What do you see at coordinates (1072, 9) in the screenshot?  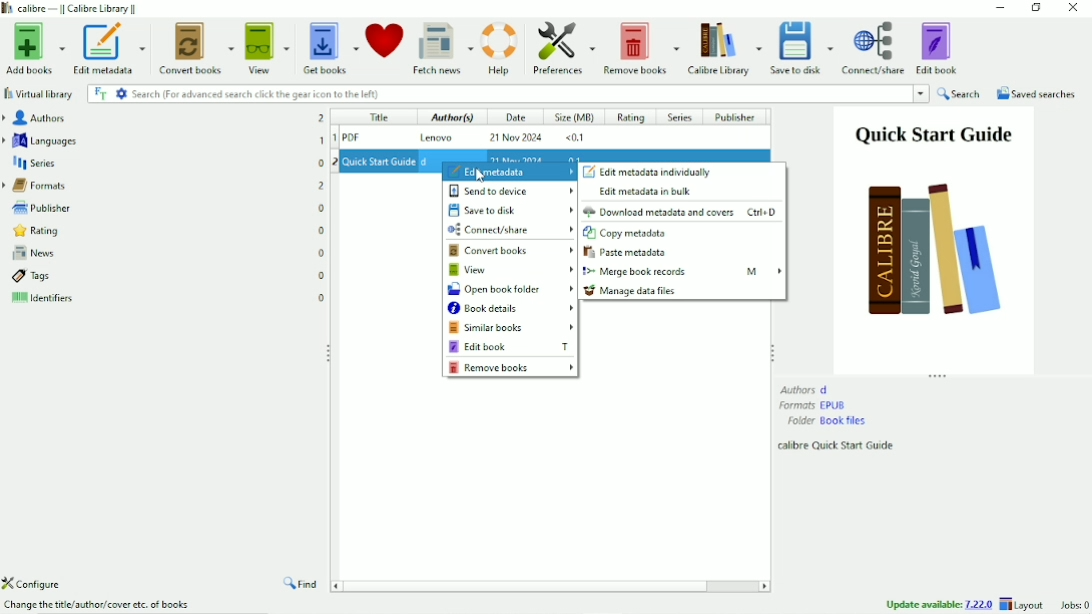 I see `Close` at bounding box center [1072, 9].